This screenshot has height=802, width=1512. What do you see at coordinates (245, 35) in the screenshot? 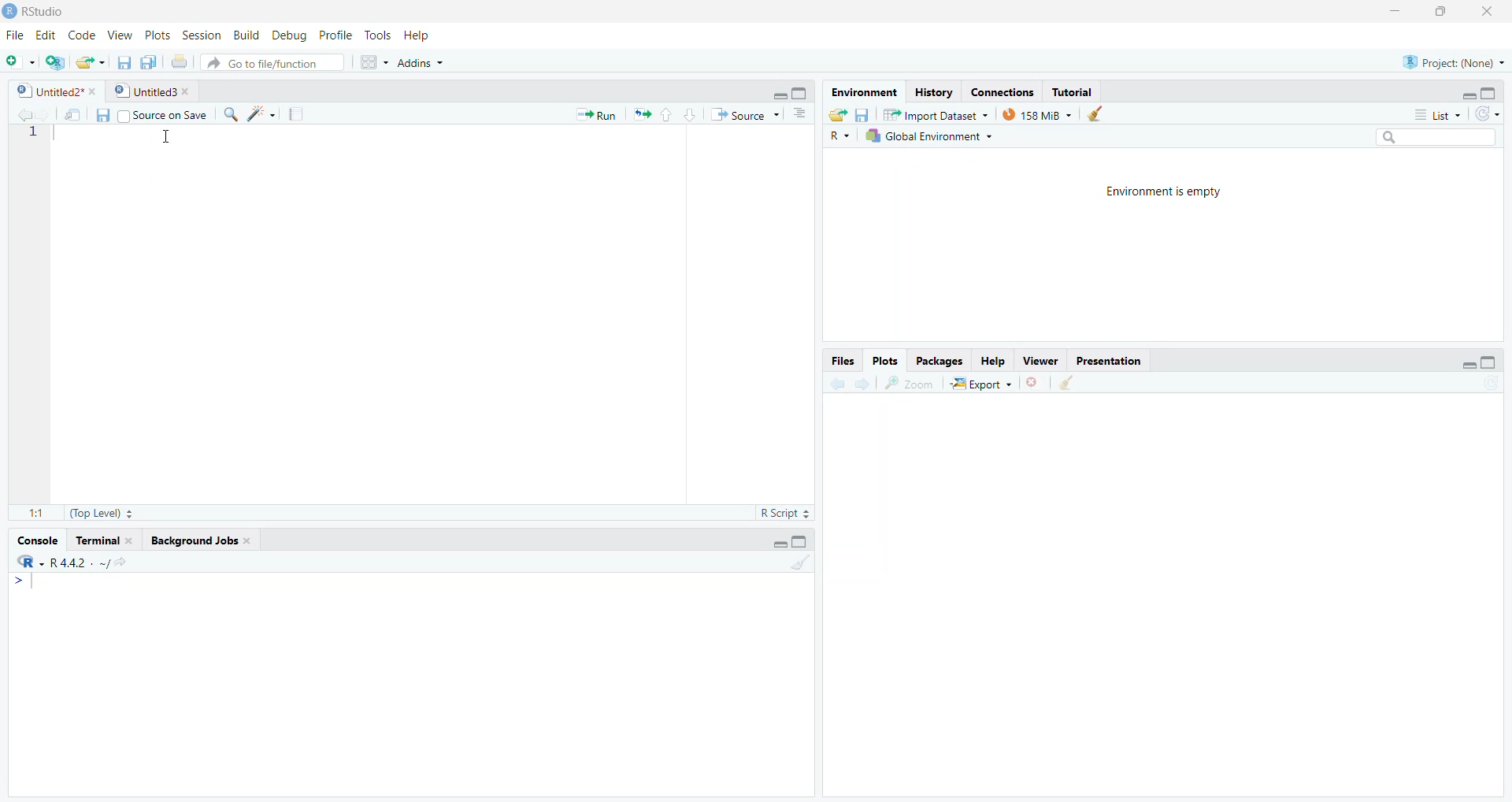
I see `Build` at bounding box center [245, 35].